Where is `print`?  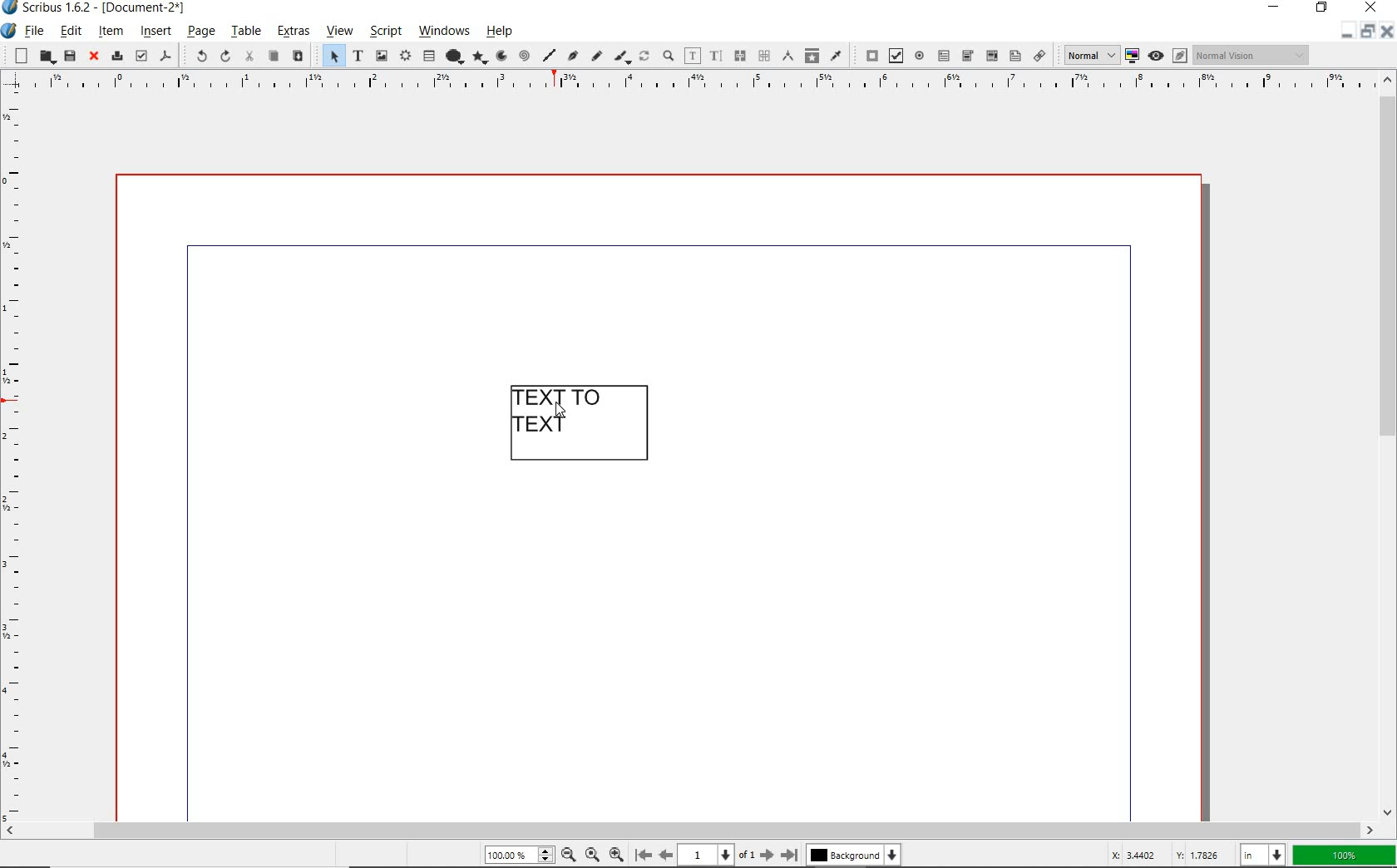
print is located at coordinates (116, 57).